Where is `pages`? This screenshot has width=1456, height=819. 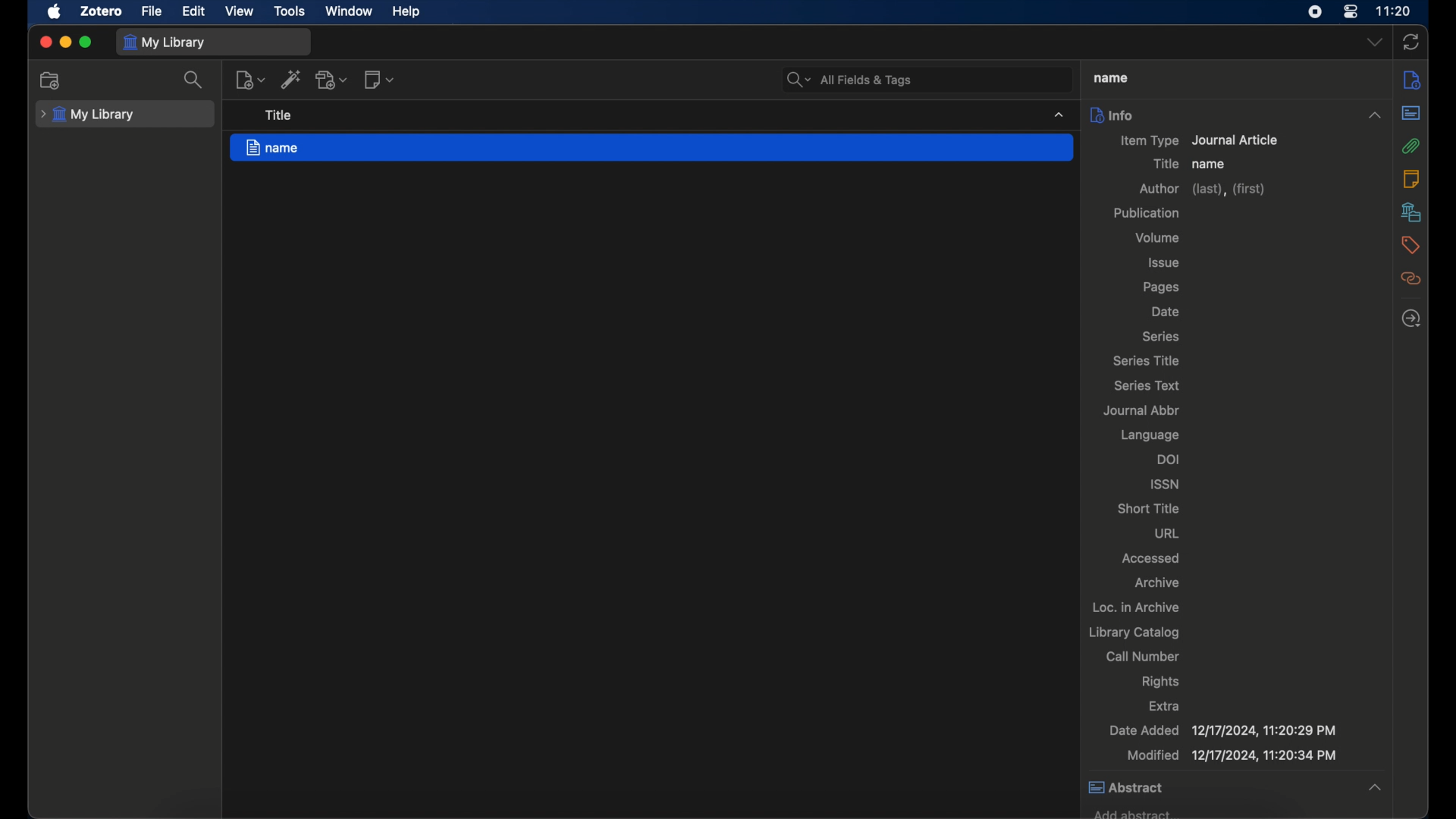 pages is located at coordinates (1162, 288).